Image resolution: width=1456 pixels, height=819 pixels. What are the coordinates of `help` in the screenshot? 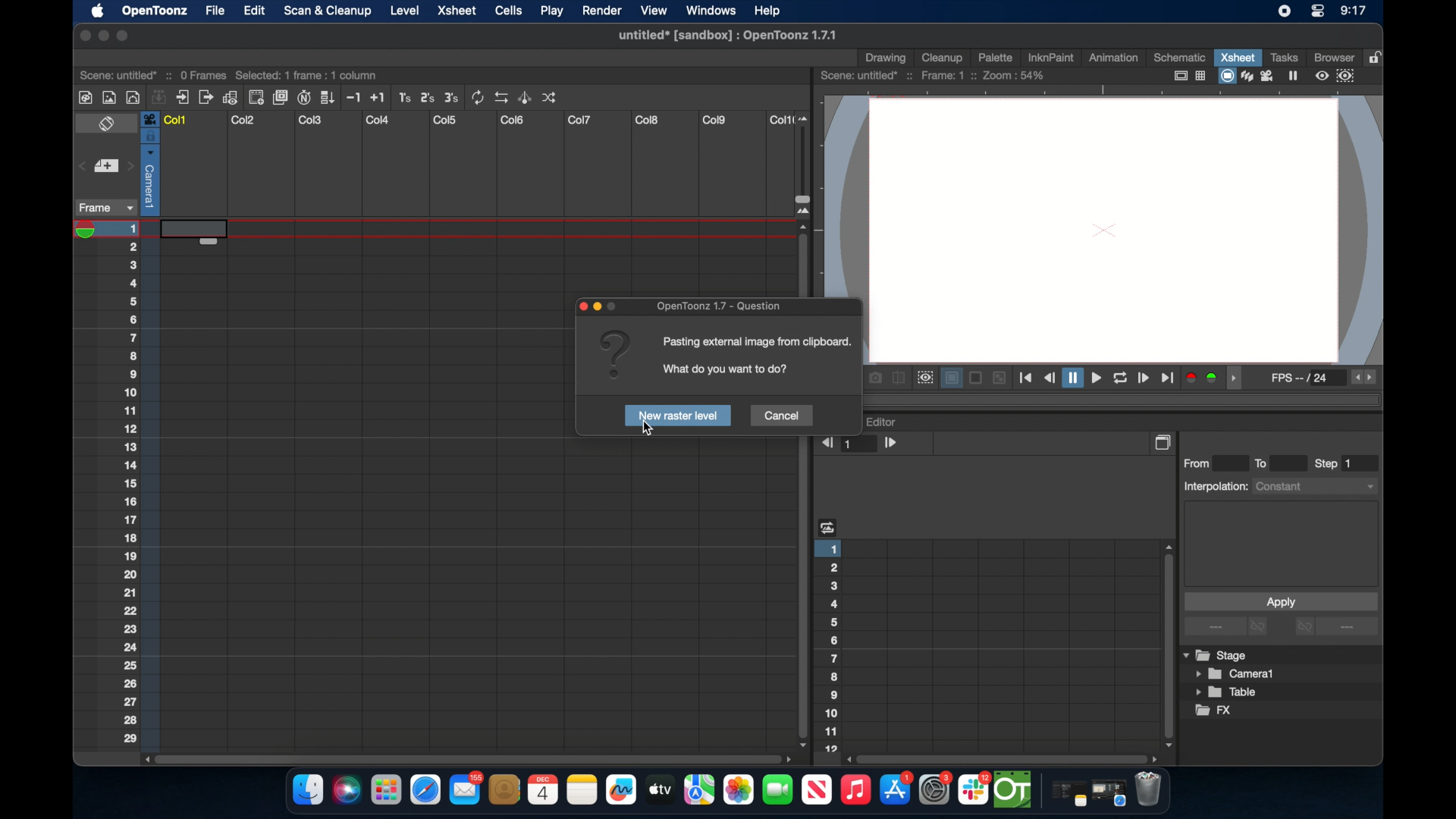 It's located at (765, 9).